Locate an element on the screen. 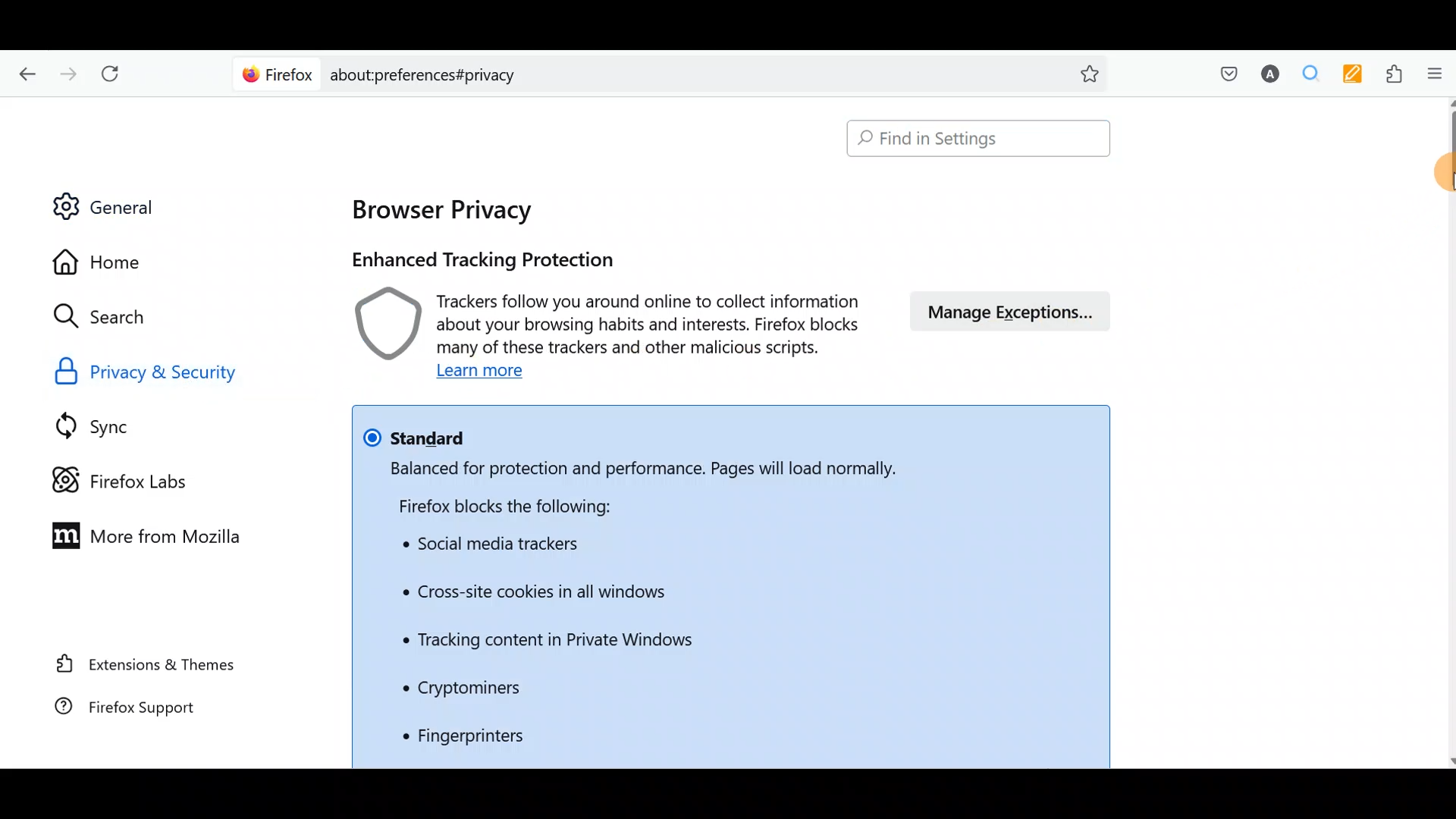 This screenshot has height=819, width=1456. General is located at coordinates (104, 196).